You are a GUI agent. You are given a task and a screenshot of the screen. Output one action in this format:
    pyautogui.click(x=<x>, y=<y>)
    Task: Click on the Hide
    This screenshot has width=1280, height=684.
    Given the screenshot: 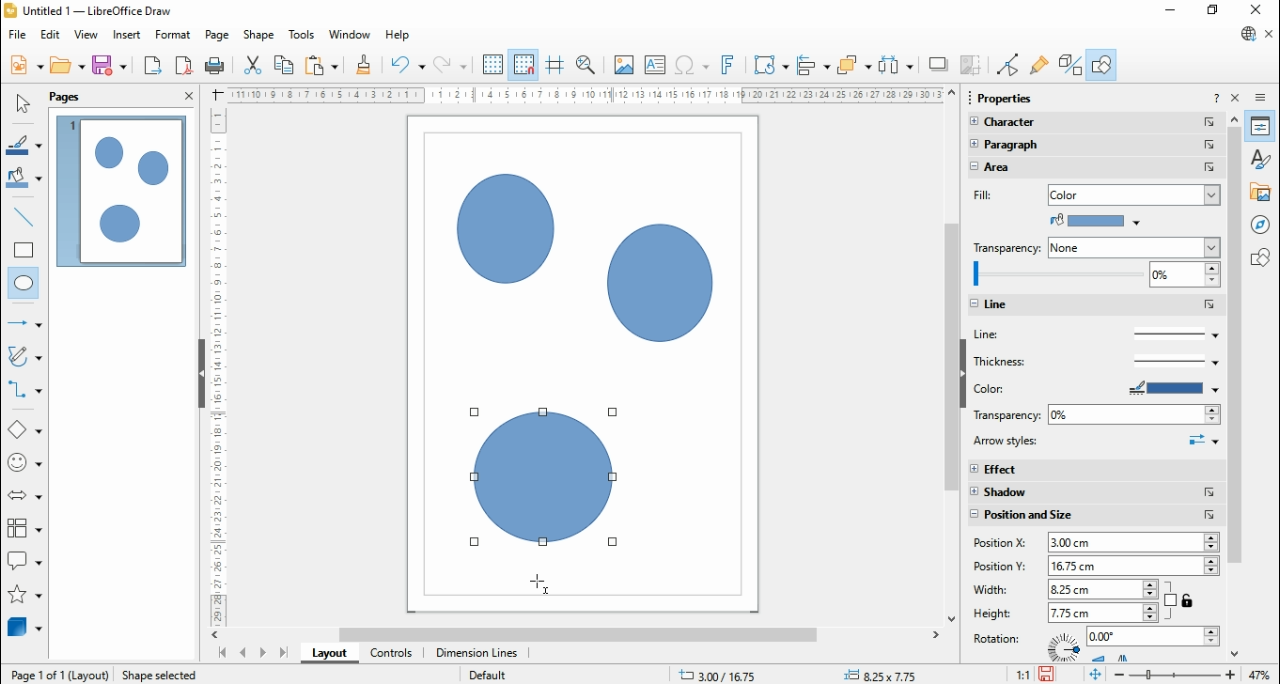 What is the action you would take?
    pyautogui.click(x=201, y=375)
    